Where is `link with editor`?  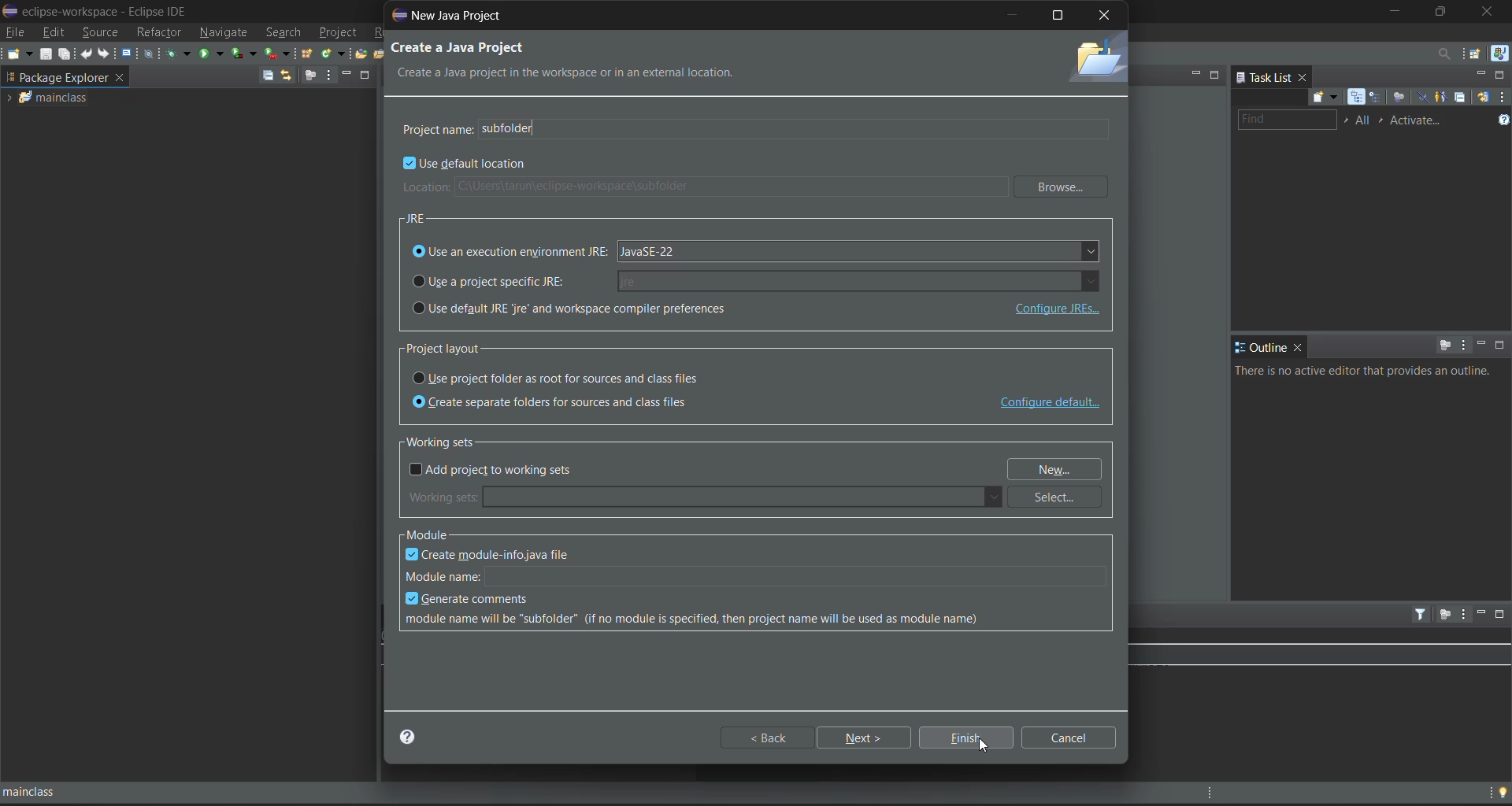 link with editor is located at coordinates (286, 75).